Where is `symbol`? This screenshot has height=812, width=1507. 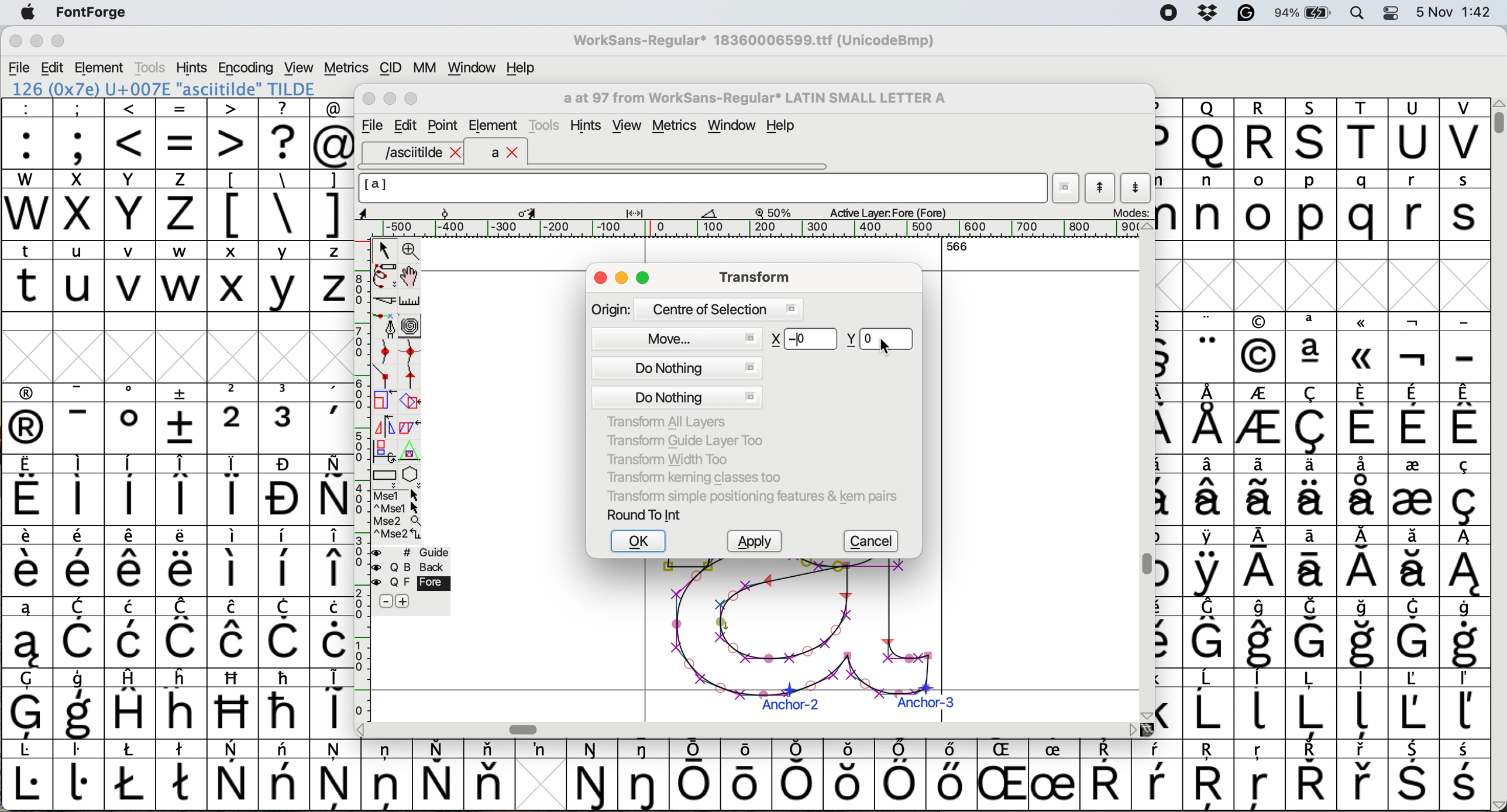
symbol is located at coordinates (28, 704).